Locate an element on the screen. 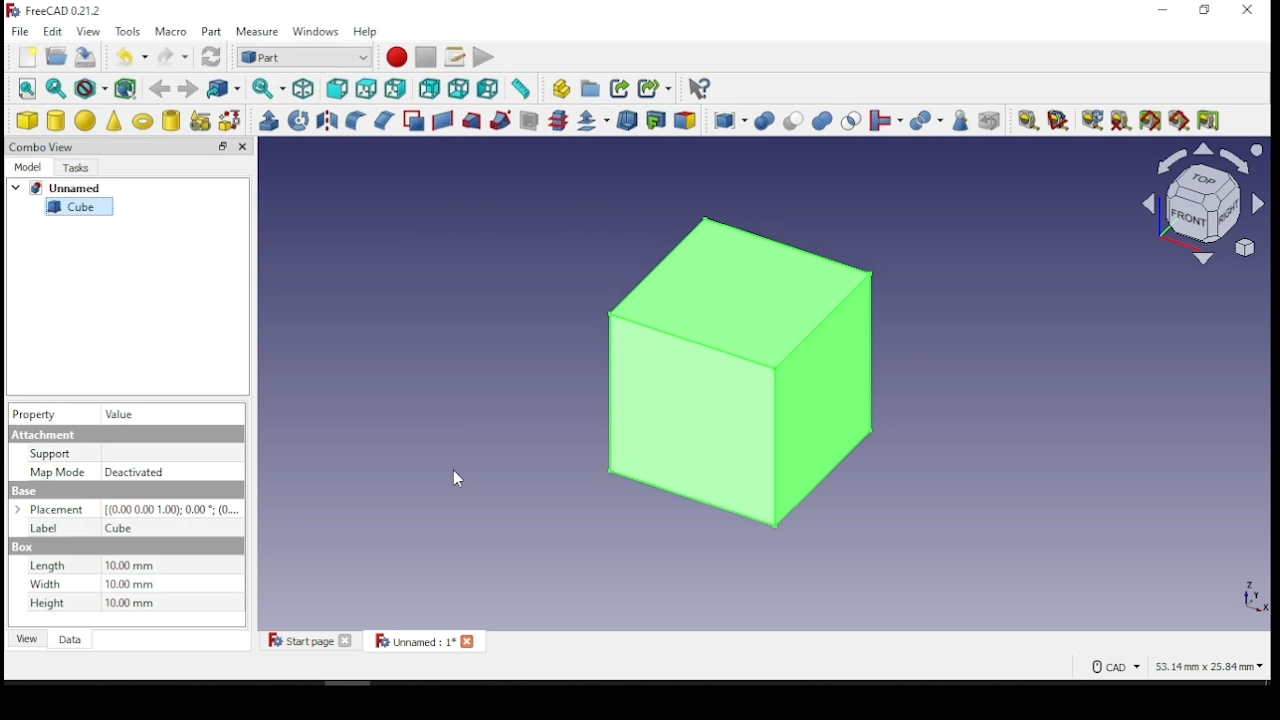 Image resolution: width=1280 pixels, height=720 pixels. new is located at coordinates (29, 57).